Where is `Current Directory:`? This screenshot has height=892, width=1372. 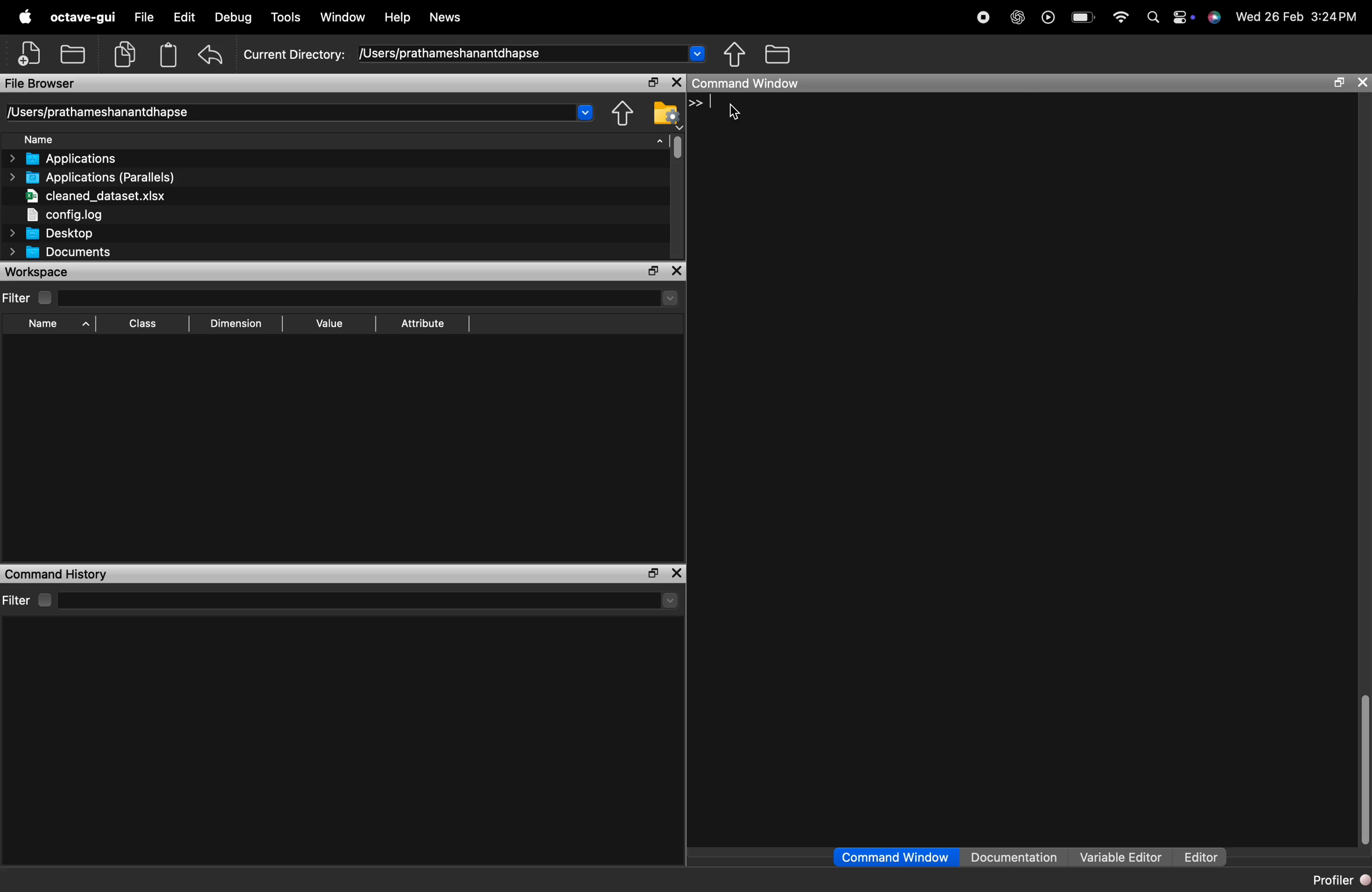 Current Directory: is located at coordinates (295, 52).